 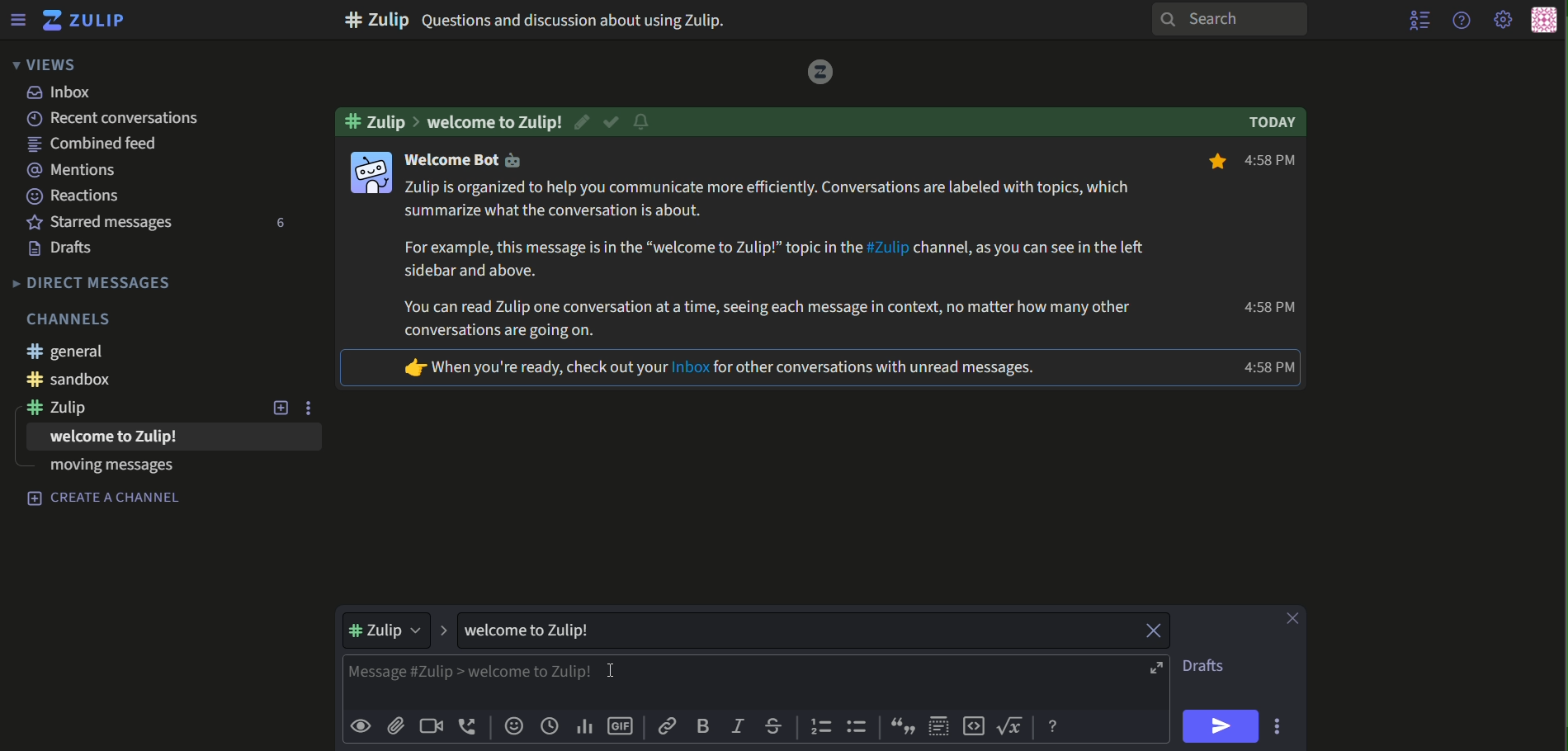 What do you see at coordinates (67, 249) in the screenshot?
I see `text` at bounding box center [67, 249].